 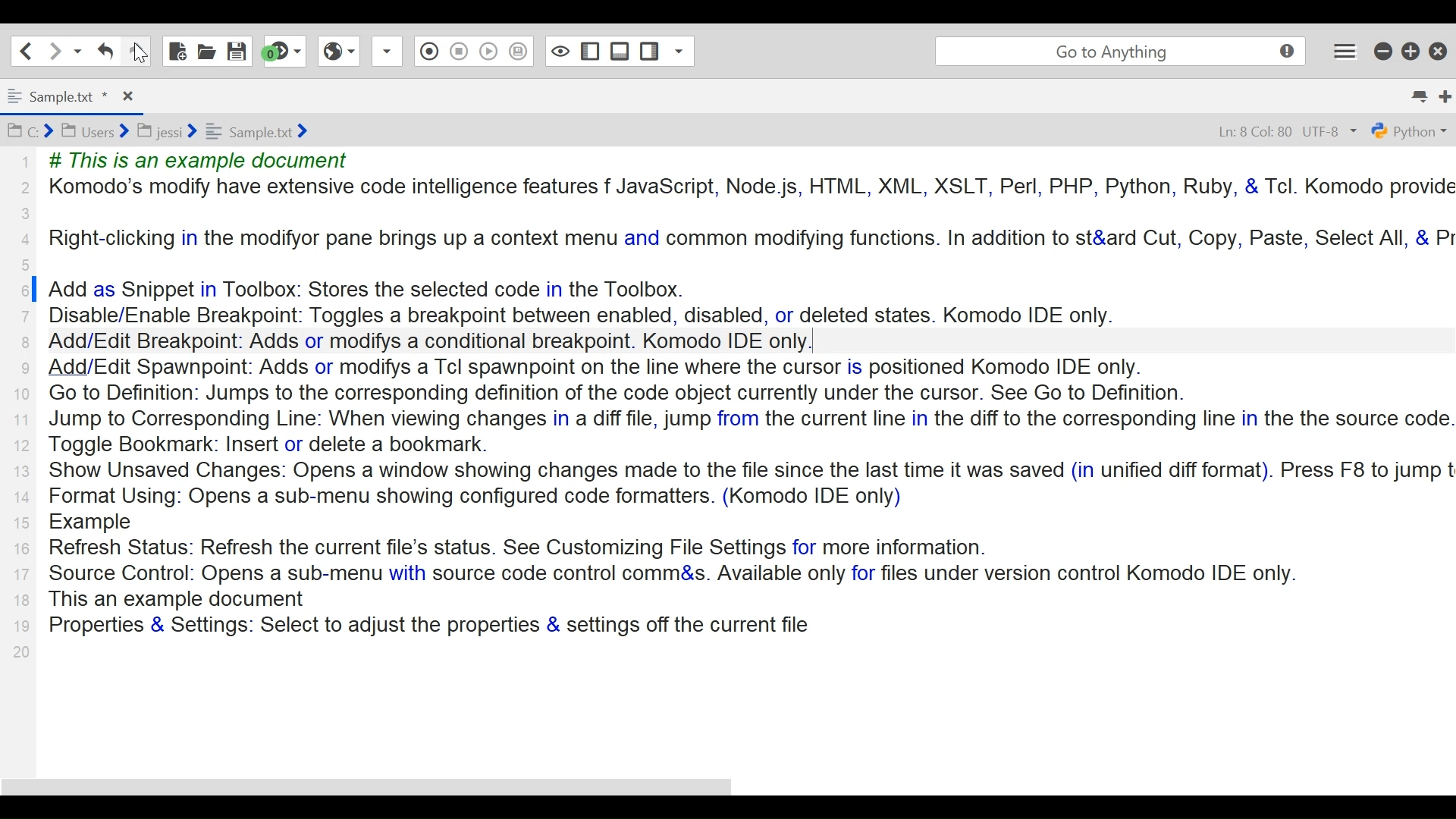 What do you see at coordinates (256, 131) in the screenshot?
I see `Sample File` at bounding box center [256, 131].